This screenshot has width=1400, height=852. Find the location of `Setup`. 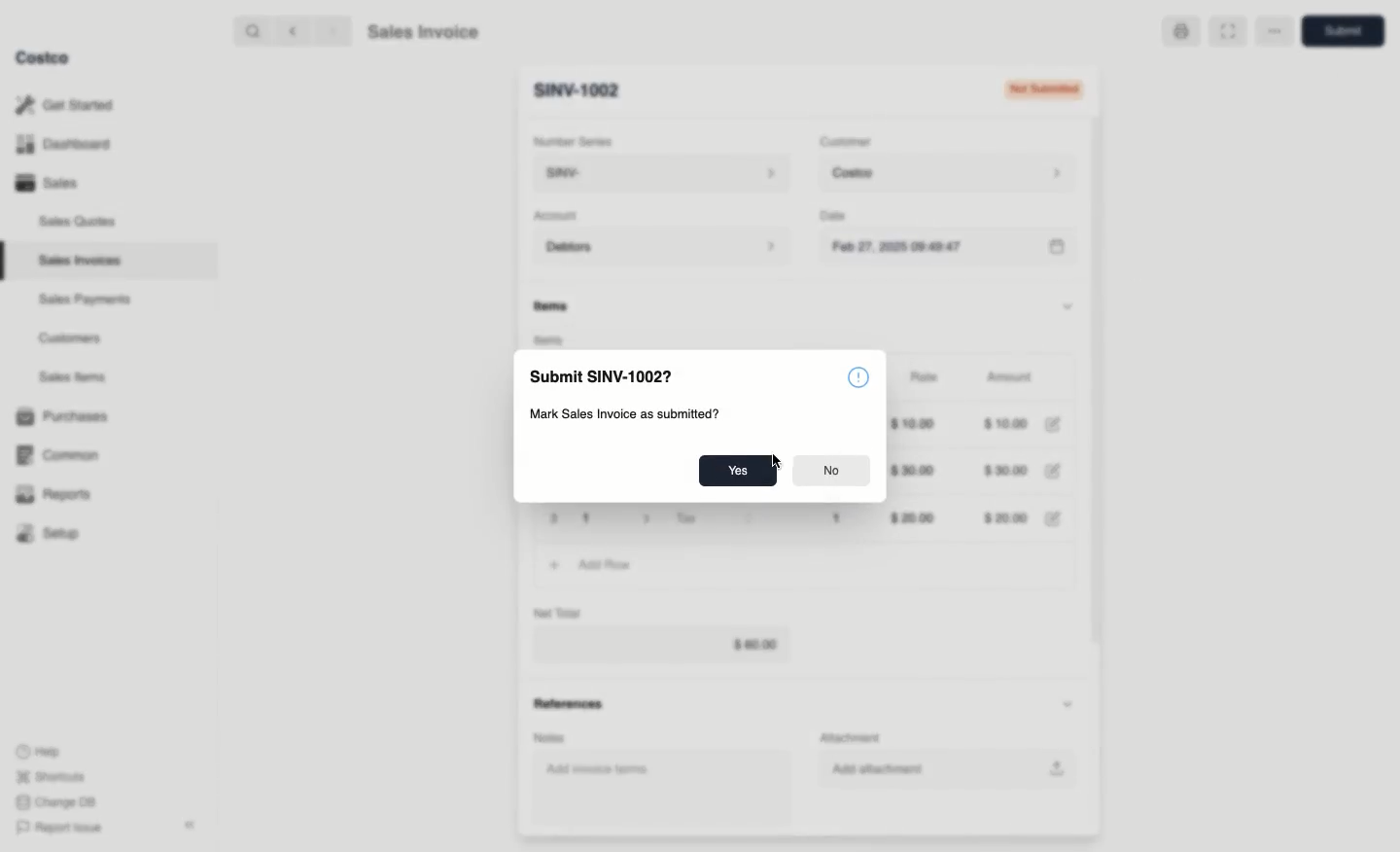

Setup is located at coordinates (50, 535).